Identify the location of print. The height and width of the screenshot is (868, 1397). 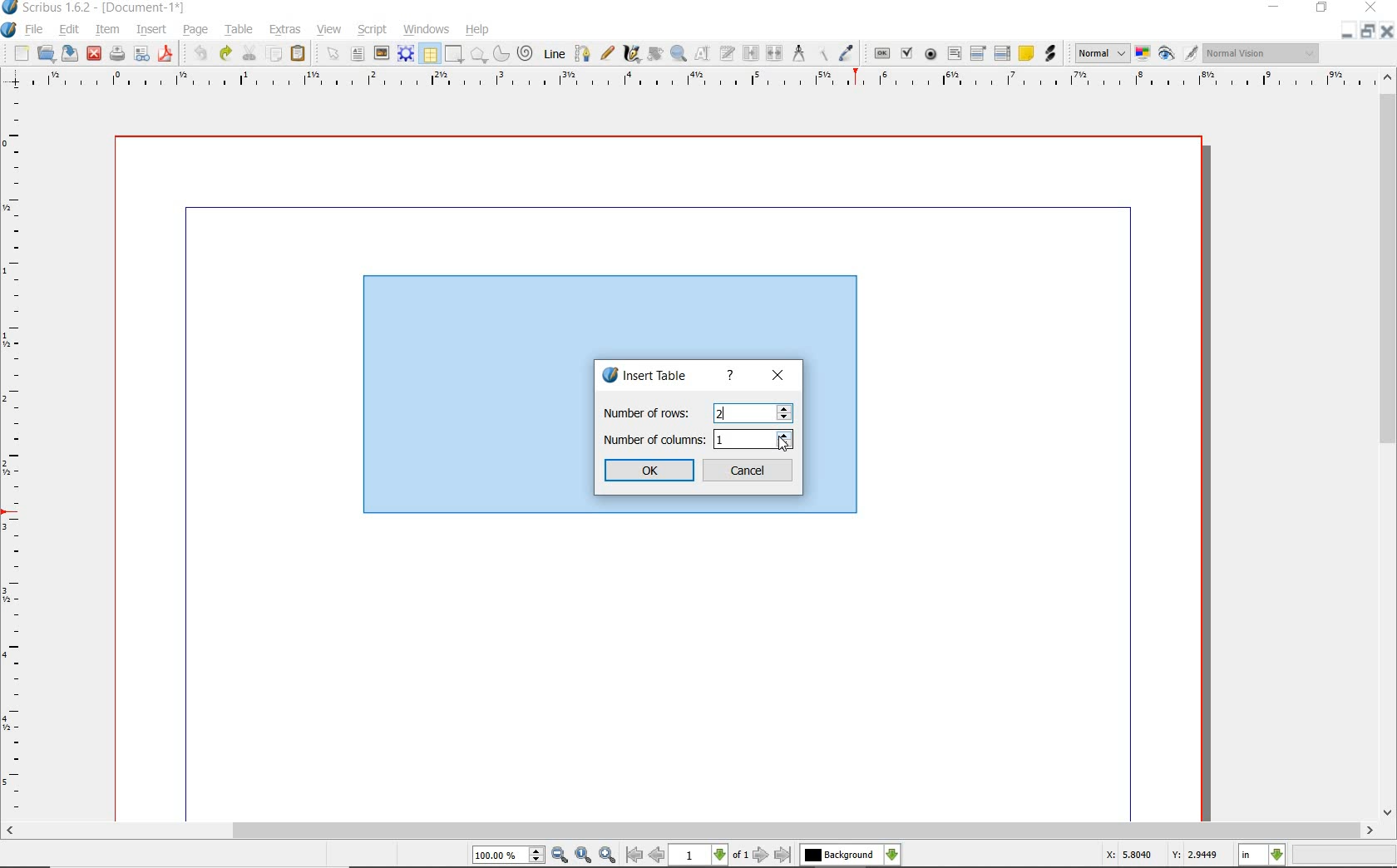
(116, 53).